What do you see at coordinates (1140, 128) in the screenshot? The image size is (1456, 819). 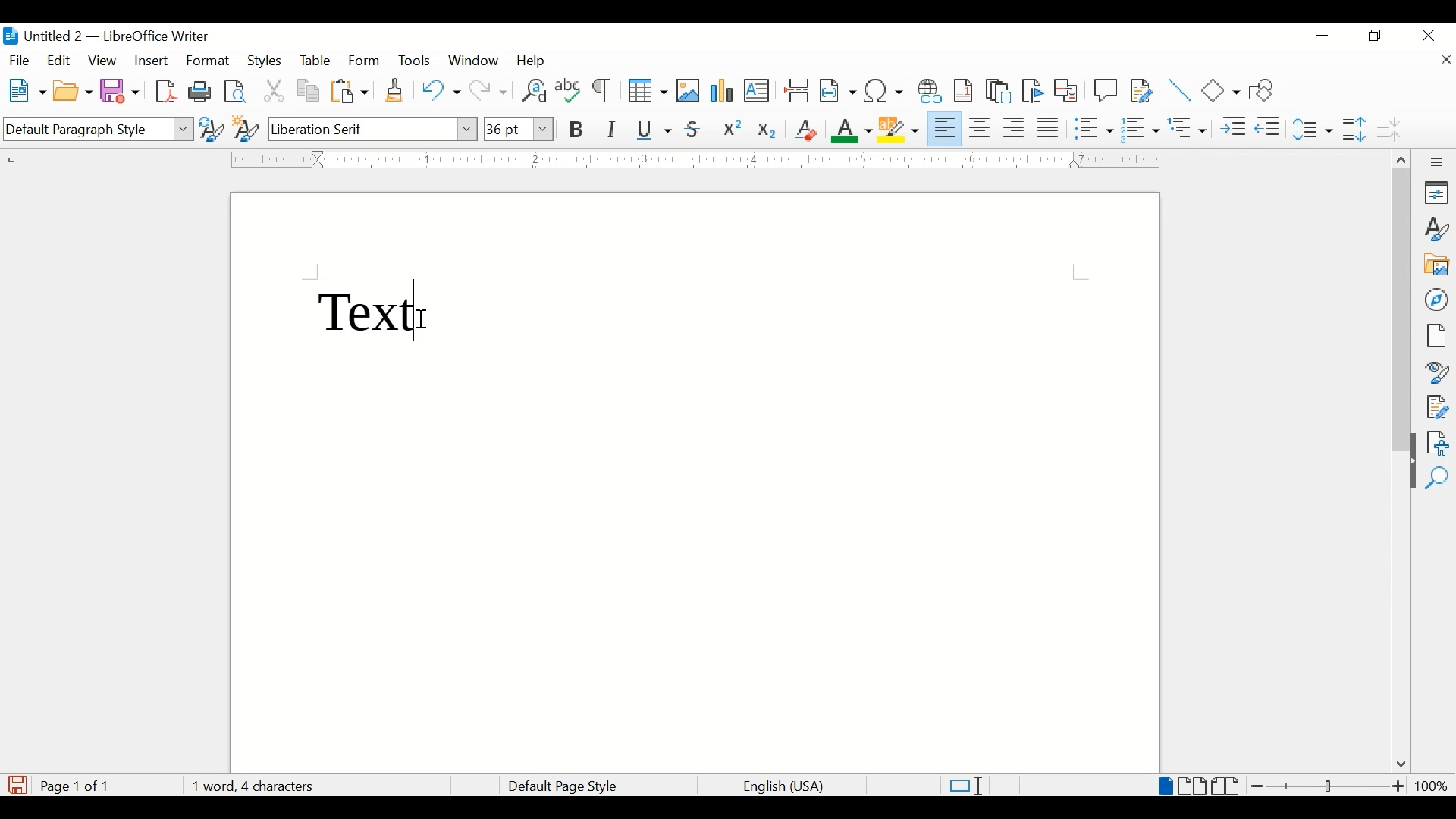 I see `toggle ordered list` at bounding box center [1140, 128].